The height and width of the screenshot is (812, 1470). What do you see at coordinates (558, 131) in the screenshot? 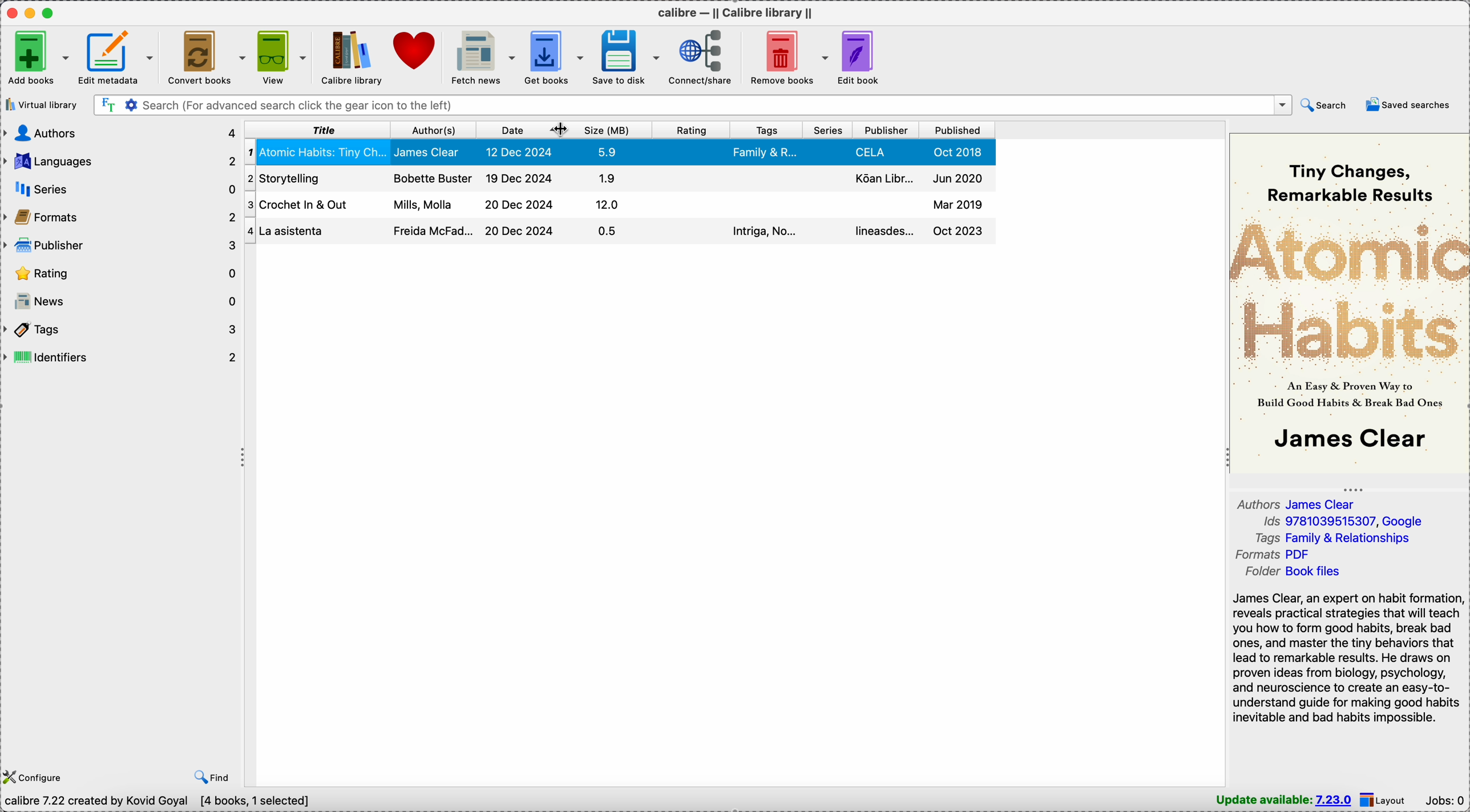
I see `cursor` at bounding box center [558, 131].